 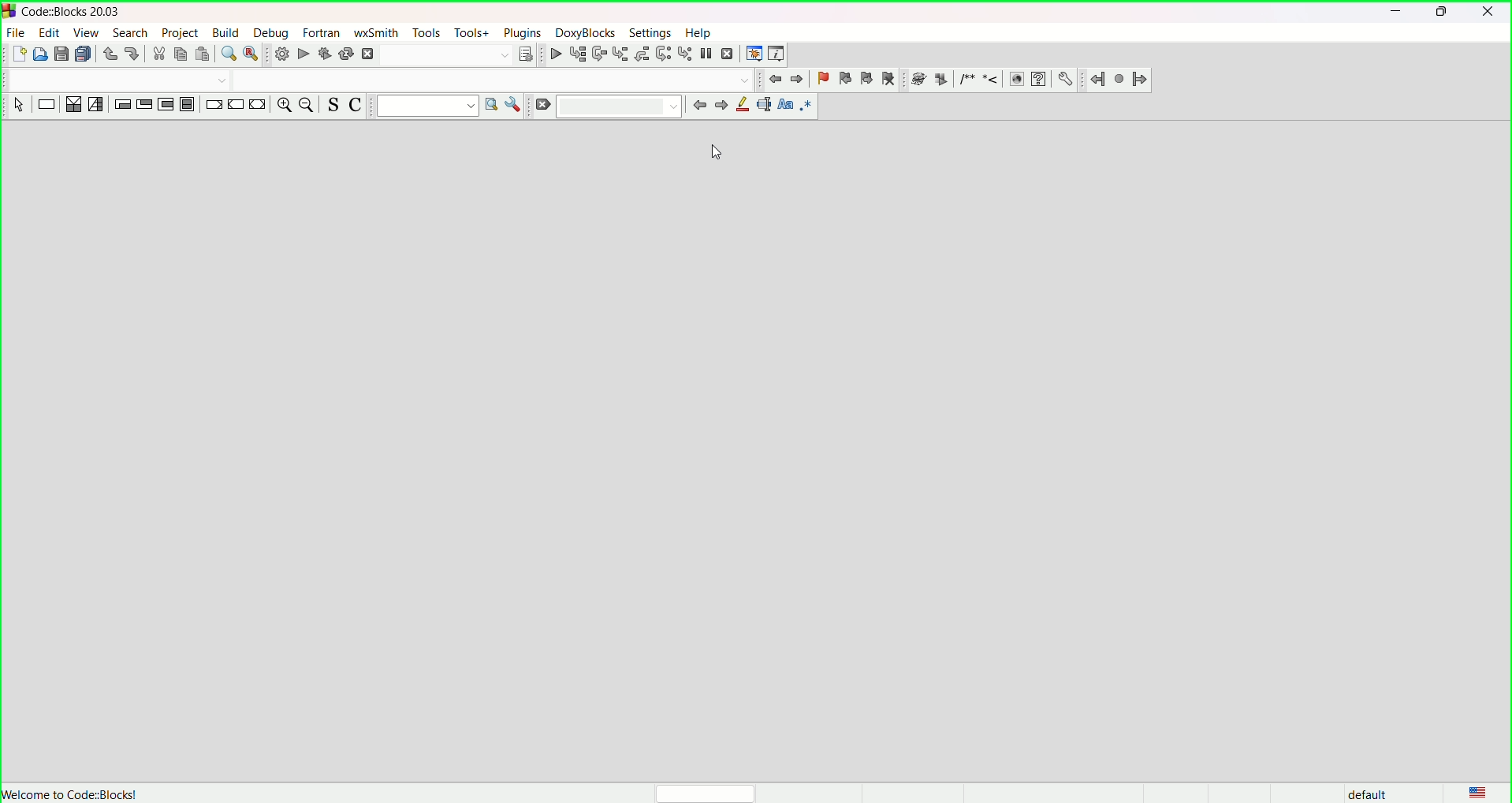 I want to click on default, so click(x=1362, y=793).